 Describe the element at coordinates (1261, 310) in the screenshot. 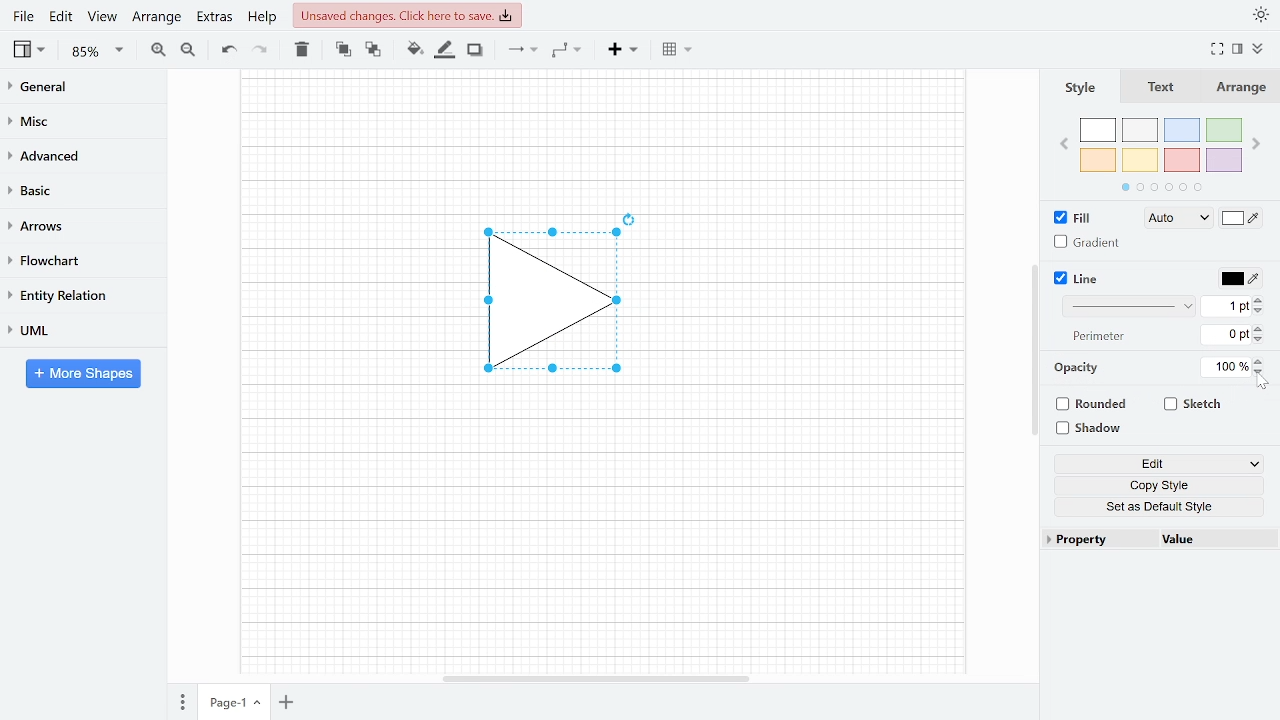

I see `Decrease line width` at that location.